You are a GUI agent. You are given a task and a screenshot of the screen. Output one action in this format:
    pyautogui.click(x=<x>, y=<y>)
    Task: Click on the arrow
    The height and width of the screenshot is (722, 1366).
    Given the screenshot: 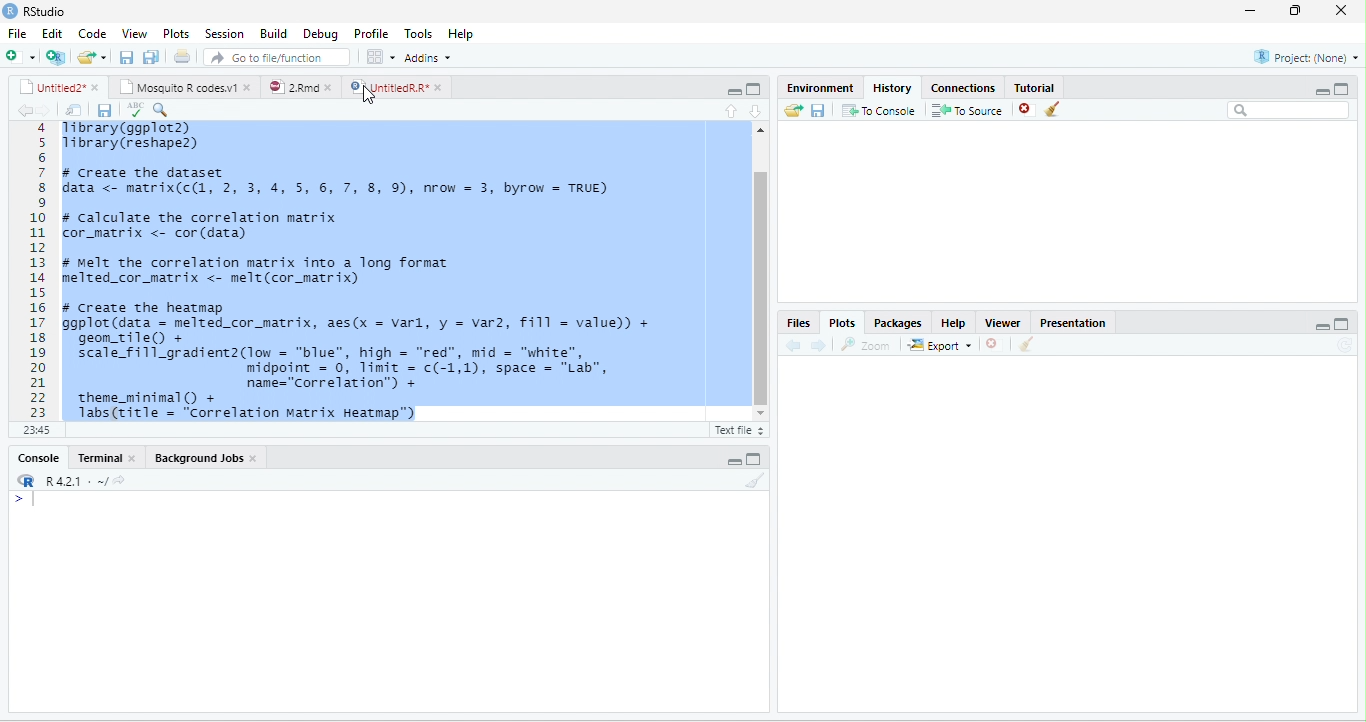 What is the action you would take?
    pyautogui.click(x=22, y=111)
    